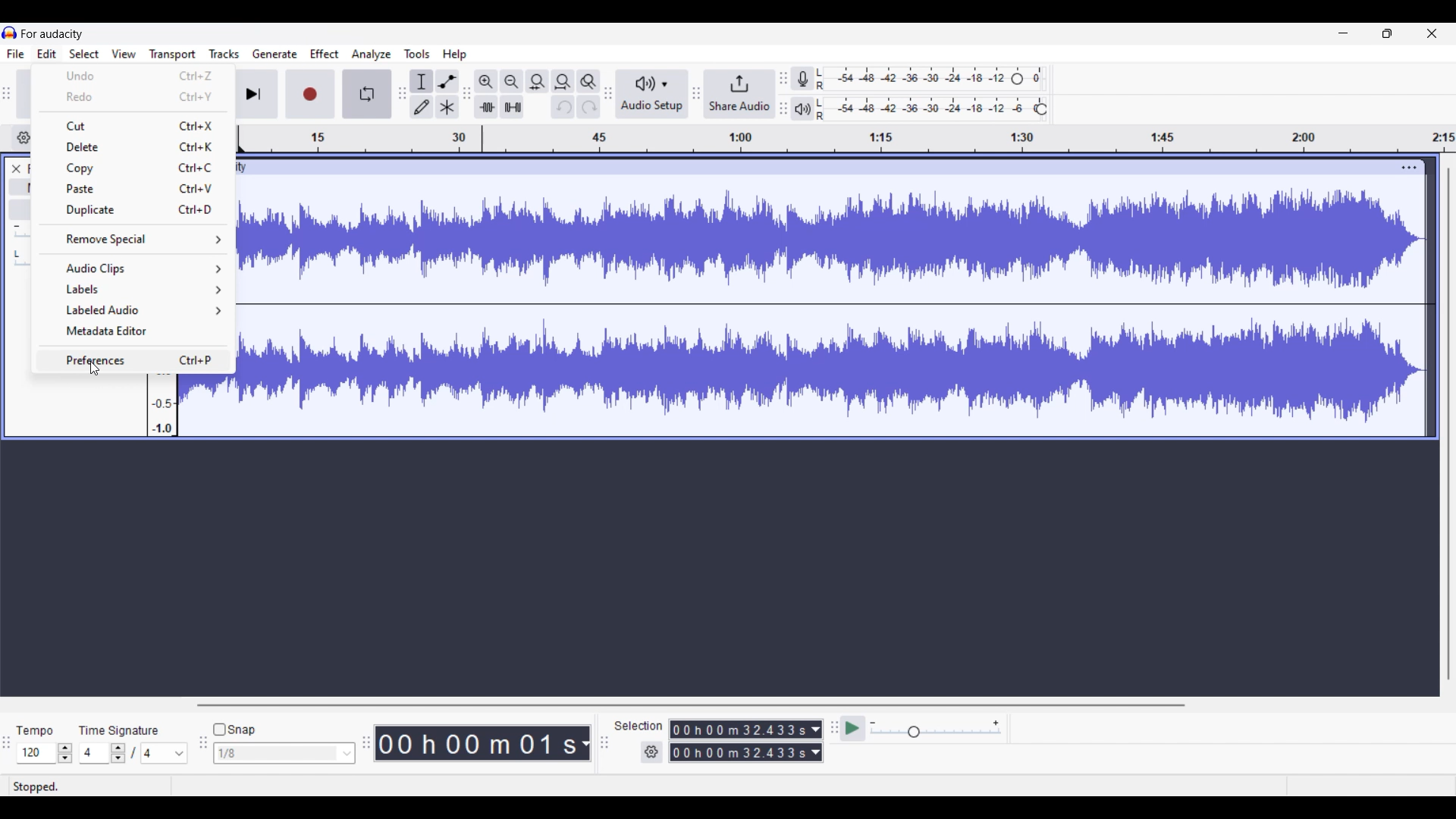 This screenshot has height=819, width=1456. Describe the element at coordinates (740, 93) in the screenshot. I see `Share audio` at that location.